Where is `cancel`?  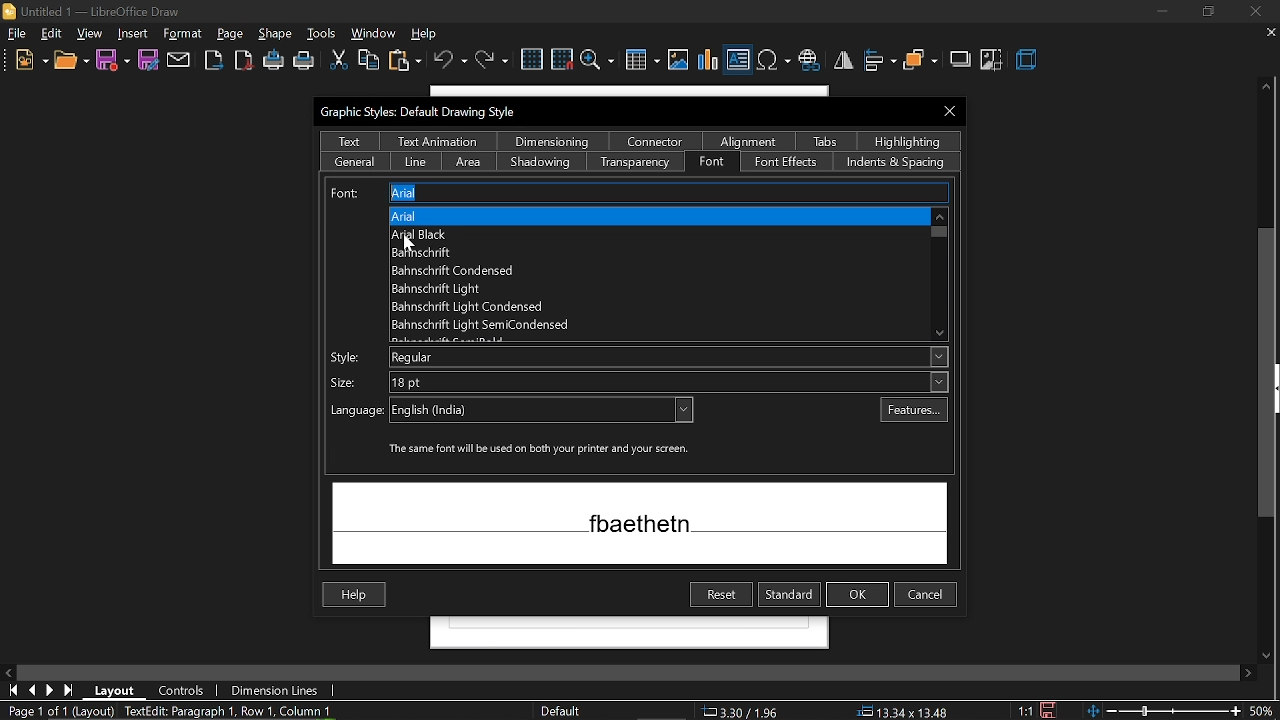
cancel is located at coordinates (926, 595).